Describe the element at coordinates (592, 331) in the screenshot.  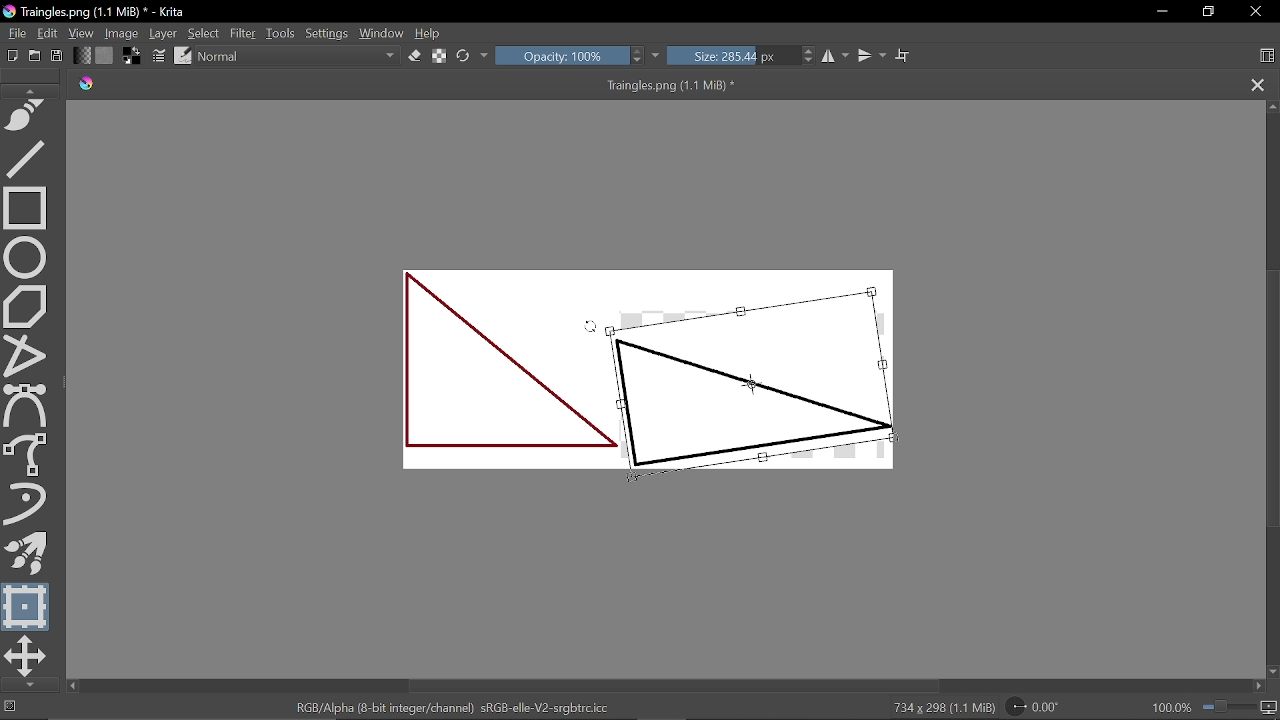
I see `Cursor` at that location.